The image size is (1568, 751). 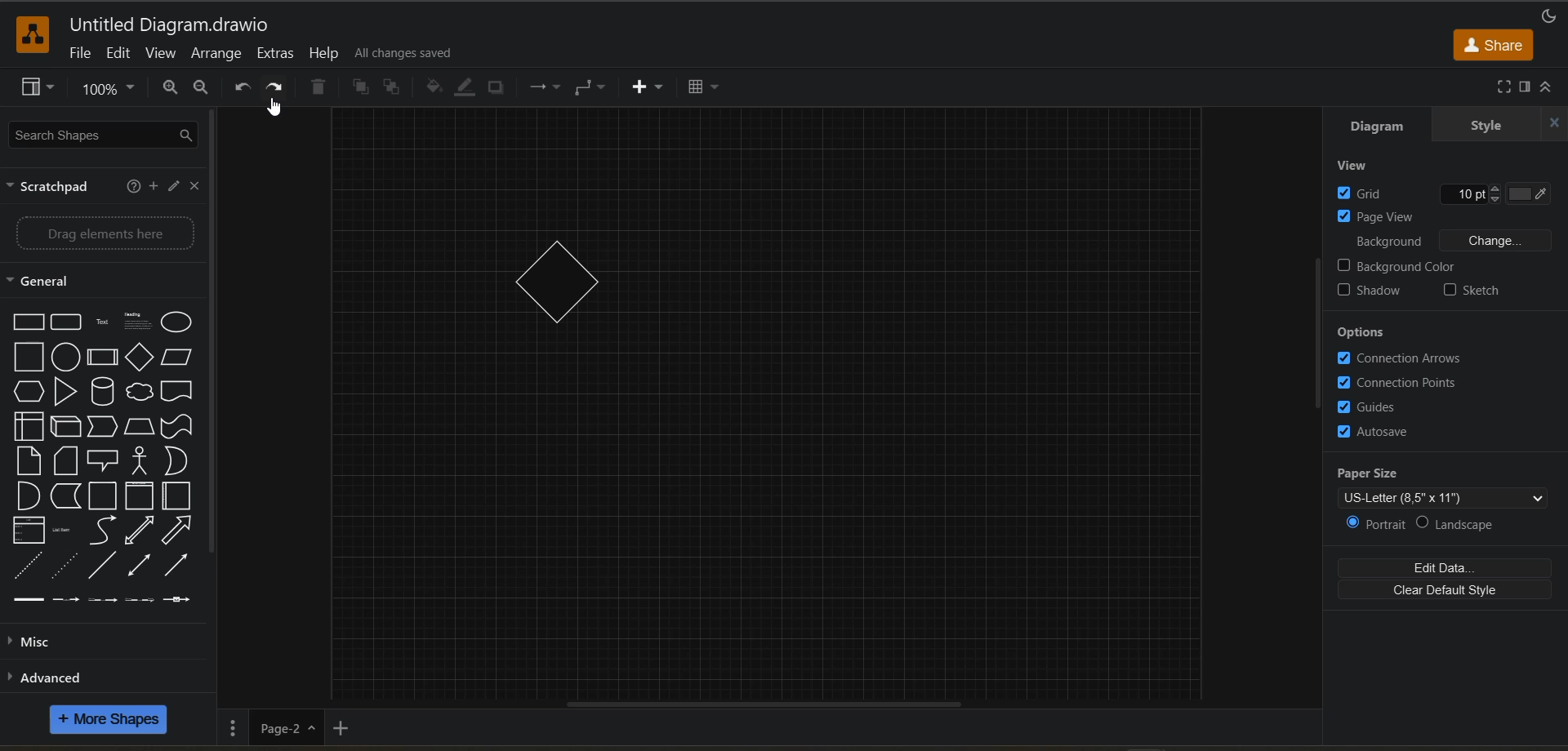 What do you see at coordinates (29, 33) in the screenshot?
I see `app logo` at bounding box center [29, 33].